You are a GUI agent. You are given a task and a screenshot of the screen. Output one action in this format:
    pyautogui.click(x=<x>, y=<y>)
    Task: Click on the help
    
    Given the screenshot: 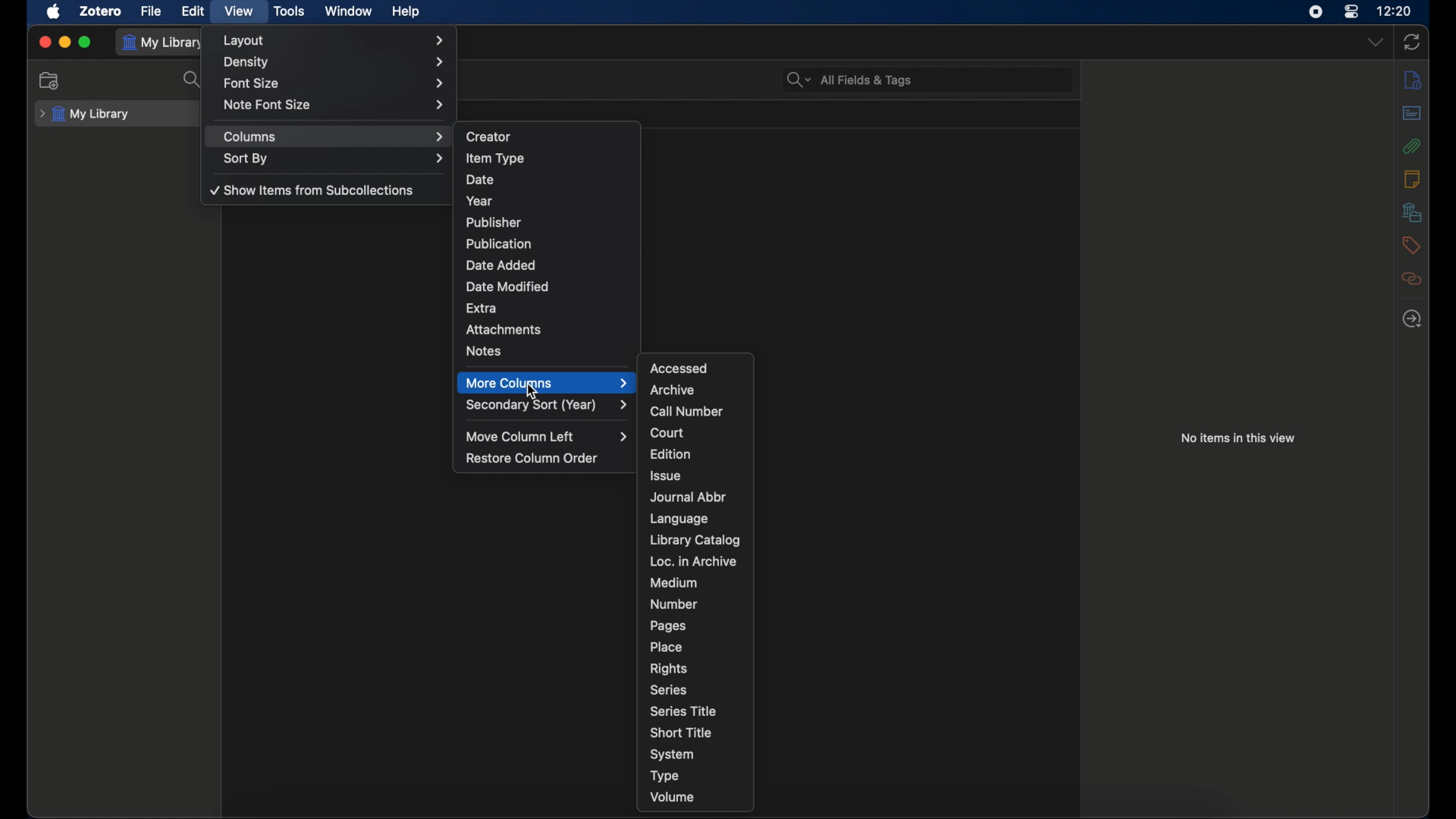 What is the action you would take?
    pyautogui.click(x=406, y=12)
    